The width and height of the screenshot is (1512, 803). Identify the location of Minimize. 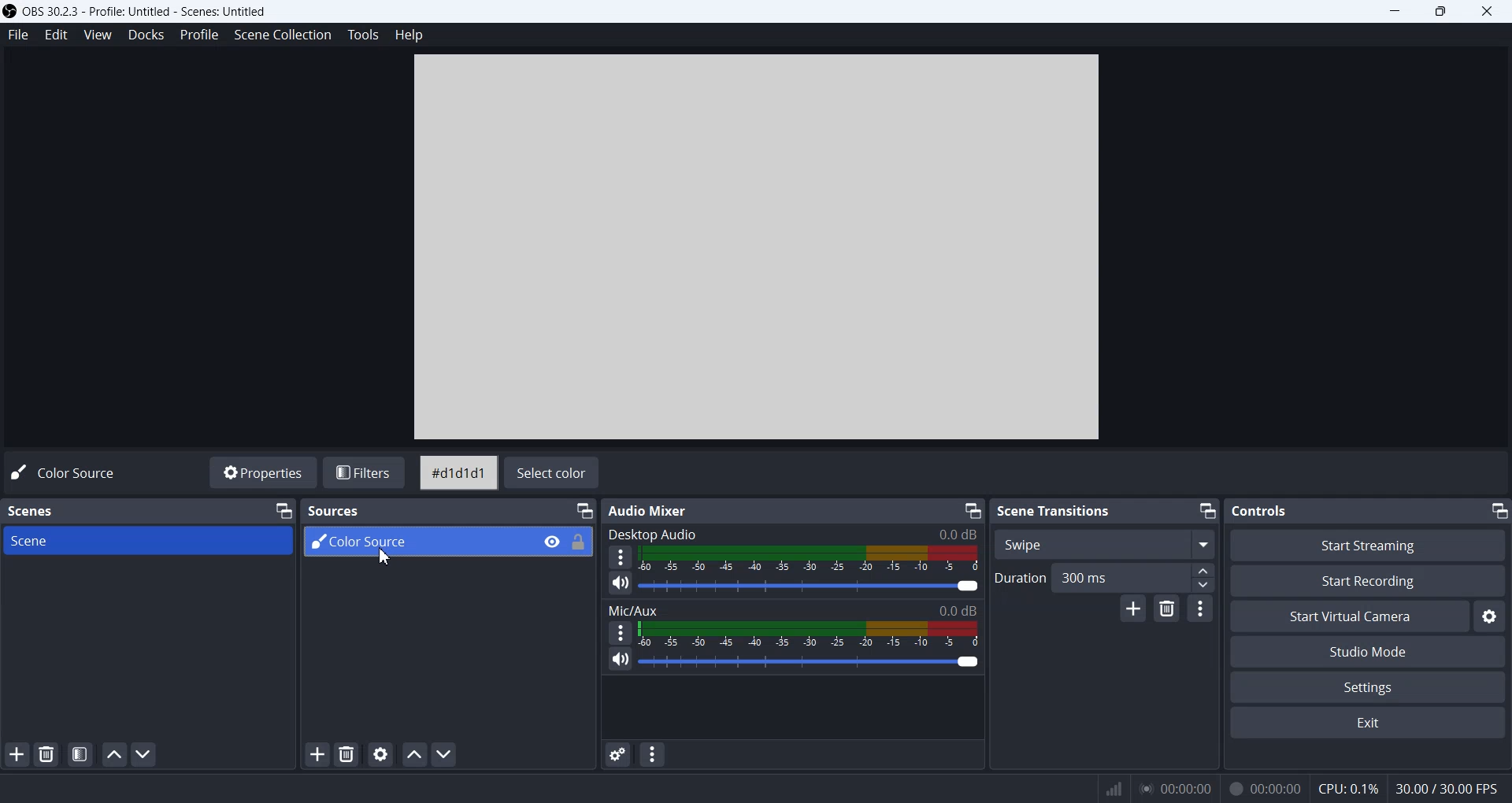
(972, 509).